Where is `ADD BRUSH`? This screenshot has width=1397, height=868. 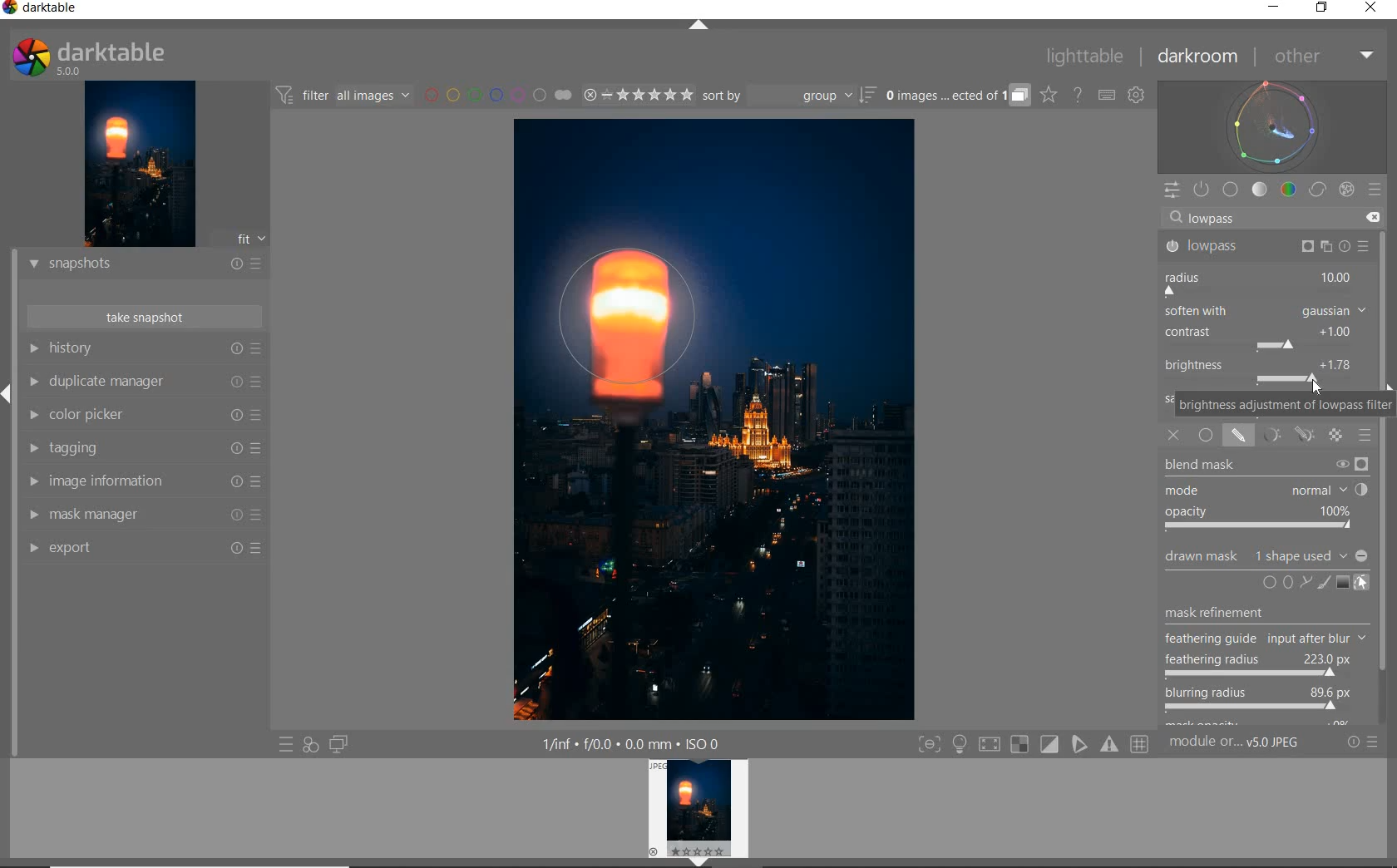
ADD BRUSH is located at coordinates (1322, 582).